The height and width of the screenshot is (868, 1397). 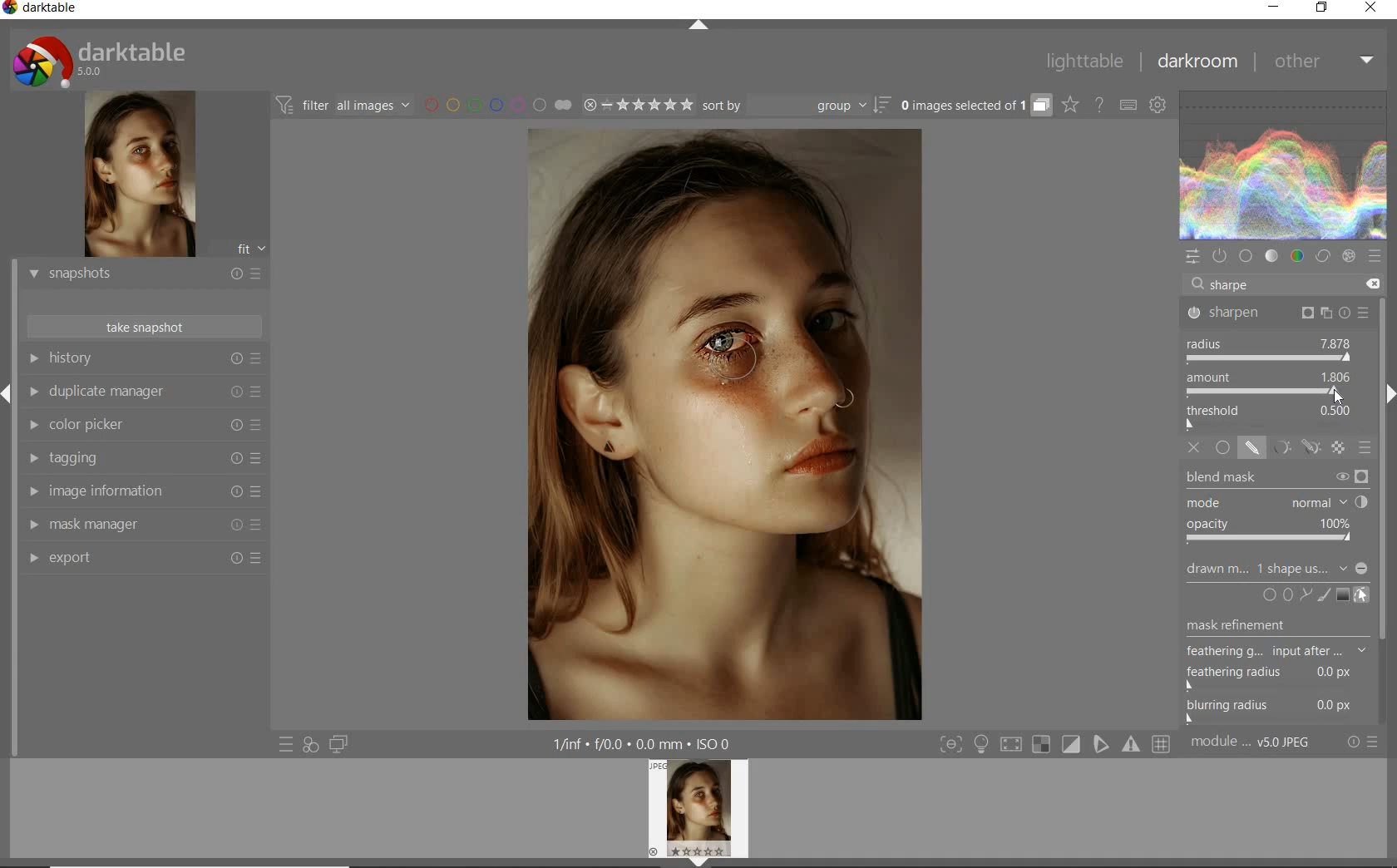 I want to click on ADD CIRCLE, ELLIPSE, OR ADD PATH, so click(x=1286, y=594).